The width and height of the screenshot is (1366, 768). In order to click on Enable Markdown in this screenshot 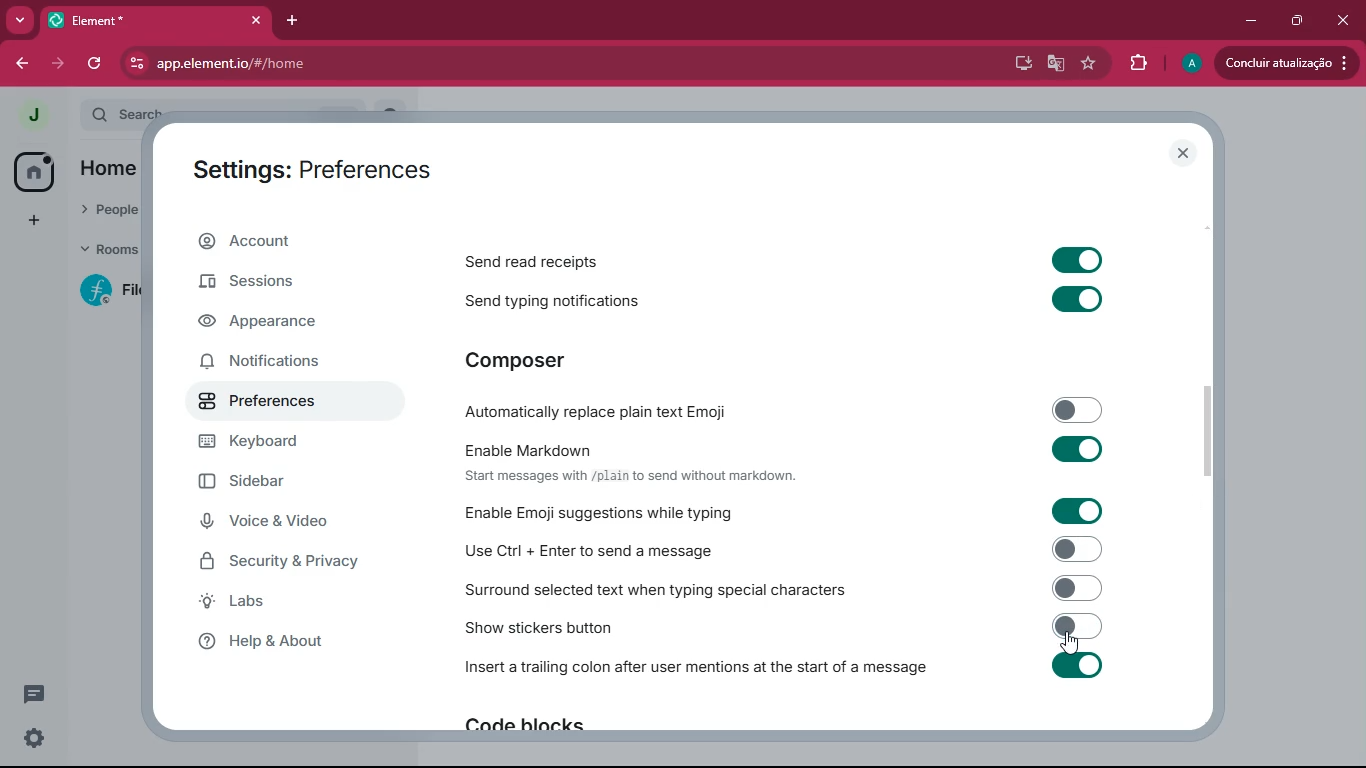, I will do `click(786, 449)`.